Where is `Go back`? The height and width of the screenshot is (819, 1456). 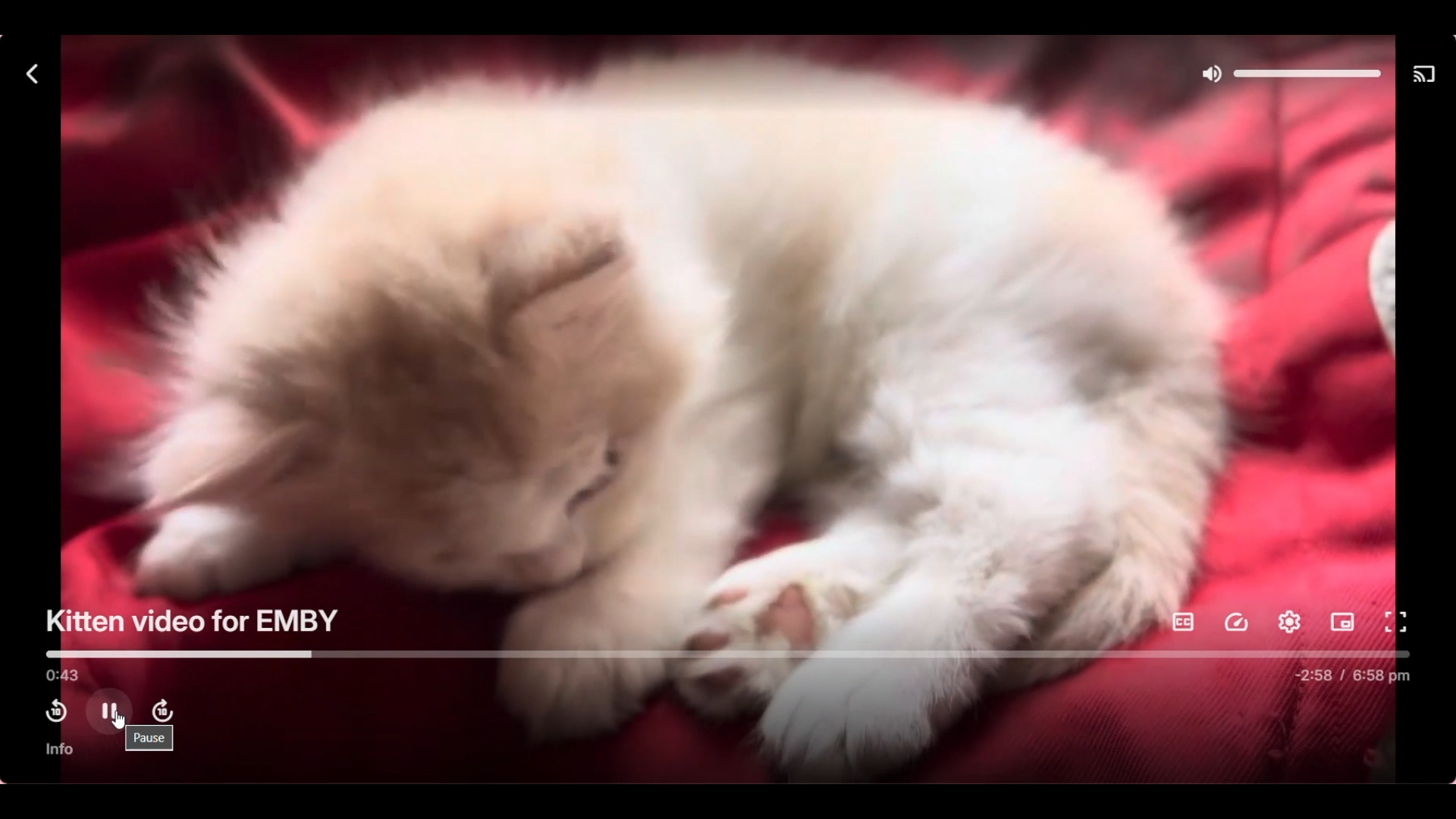
Go back is located at coordinates (31, 74).